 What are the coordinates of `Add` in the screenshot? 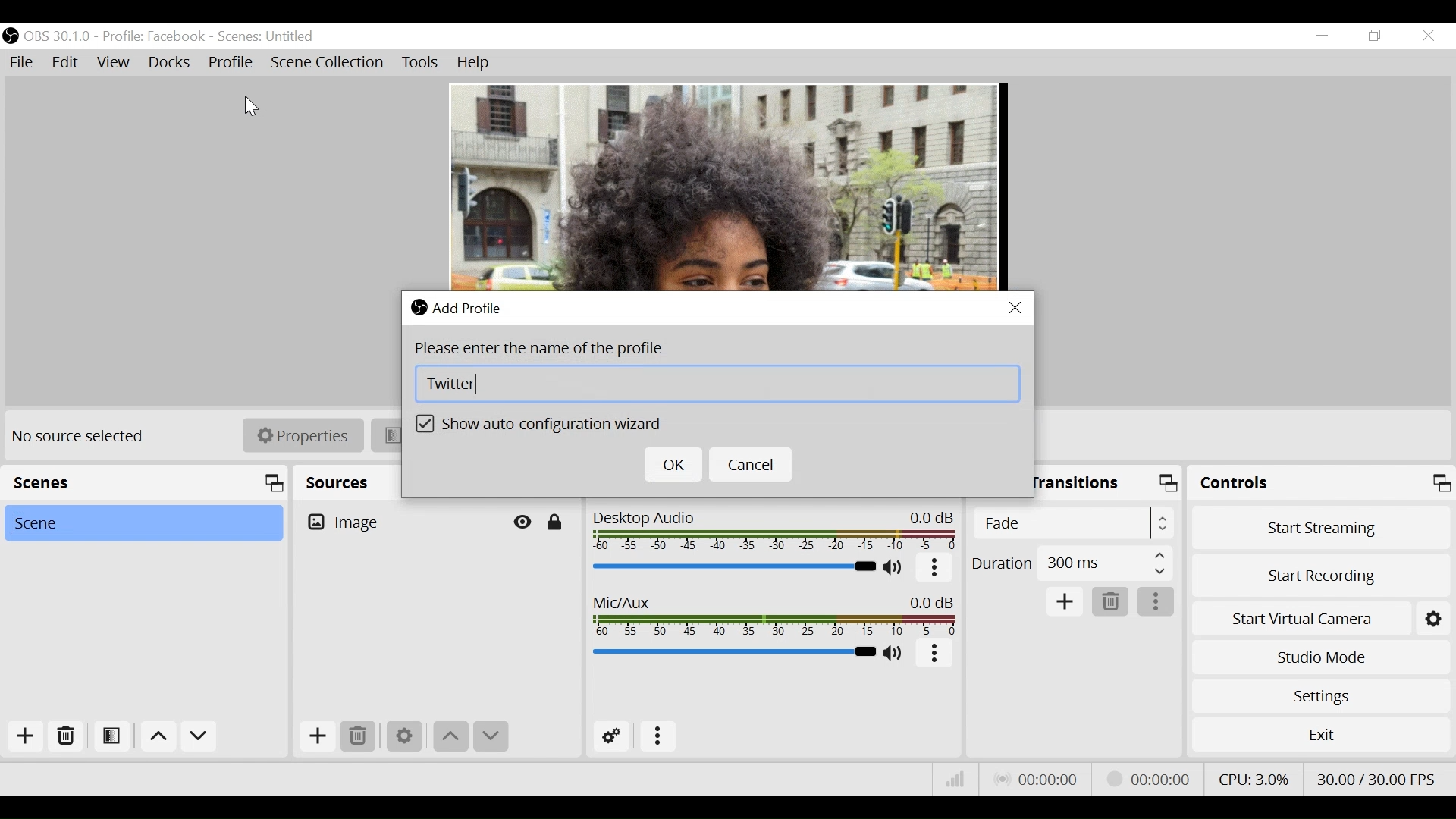 It's located at (21, 738).